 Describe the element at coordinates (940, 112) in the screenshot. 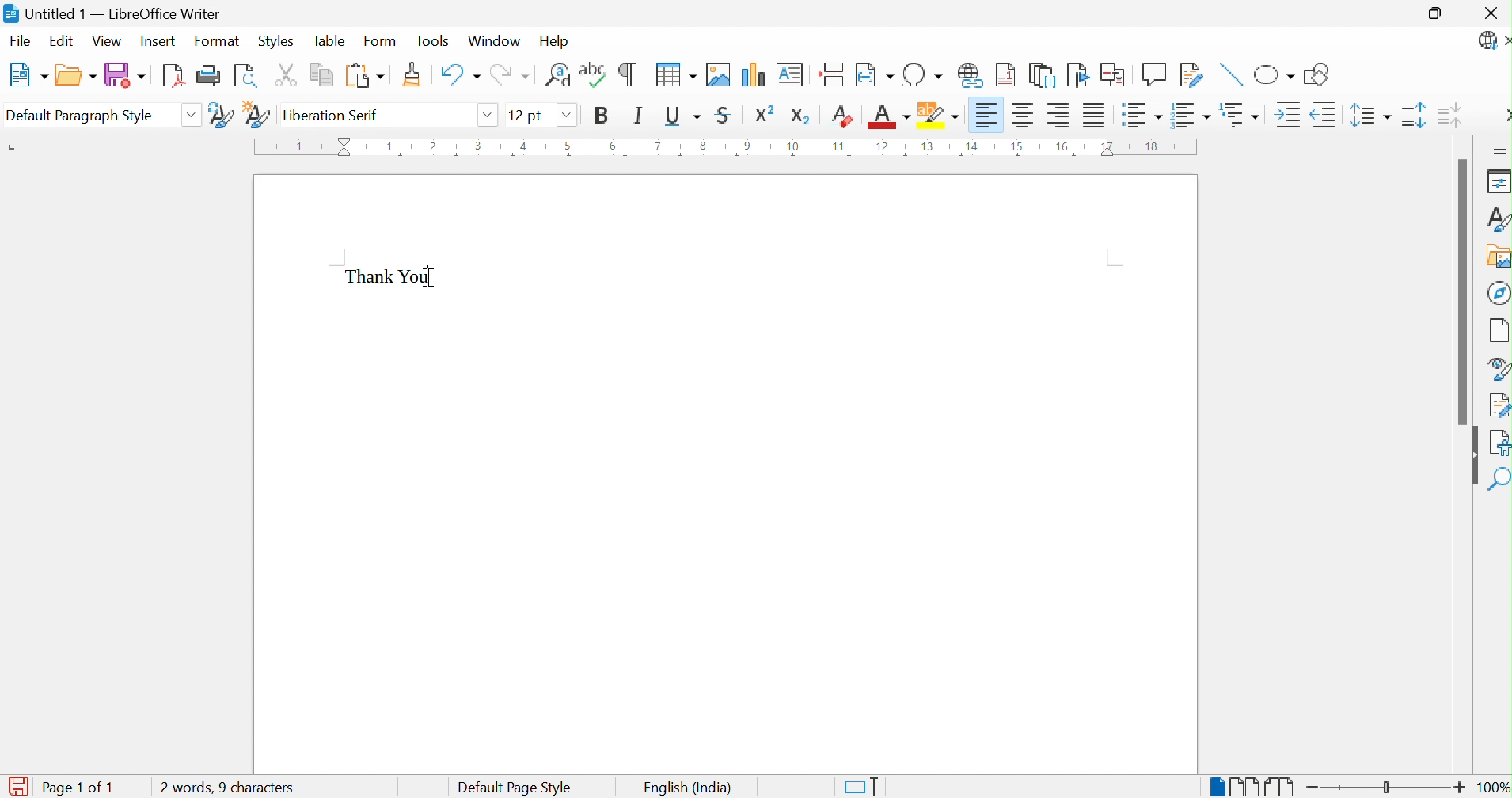

I see `Character Highlighting Color` at that location.